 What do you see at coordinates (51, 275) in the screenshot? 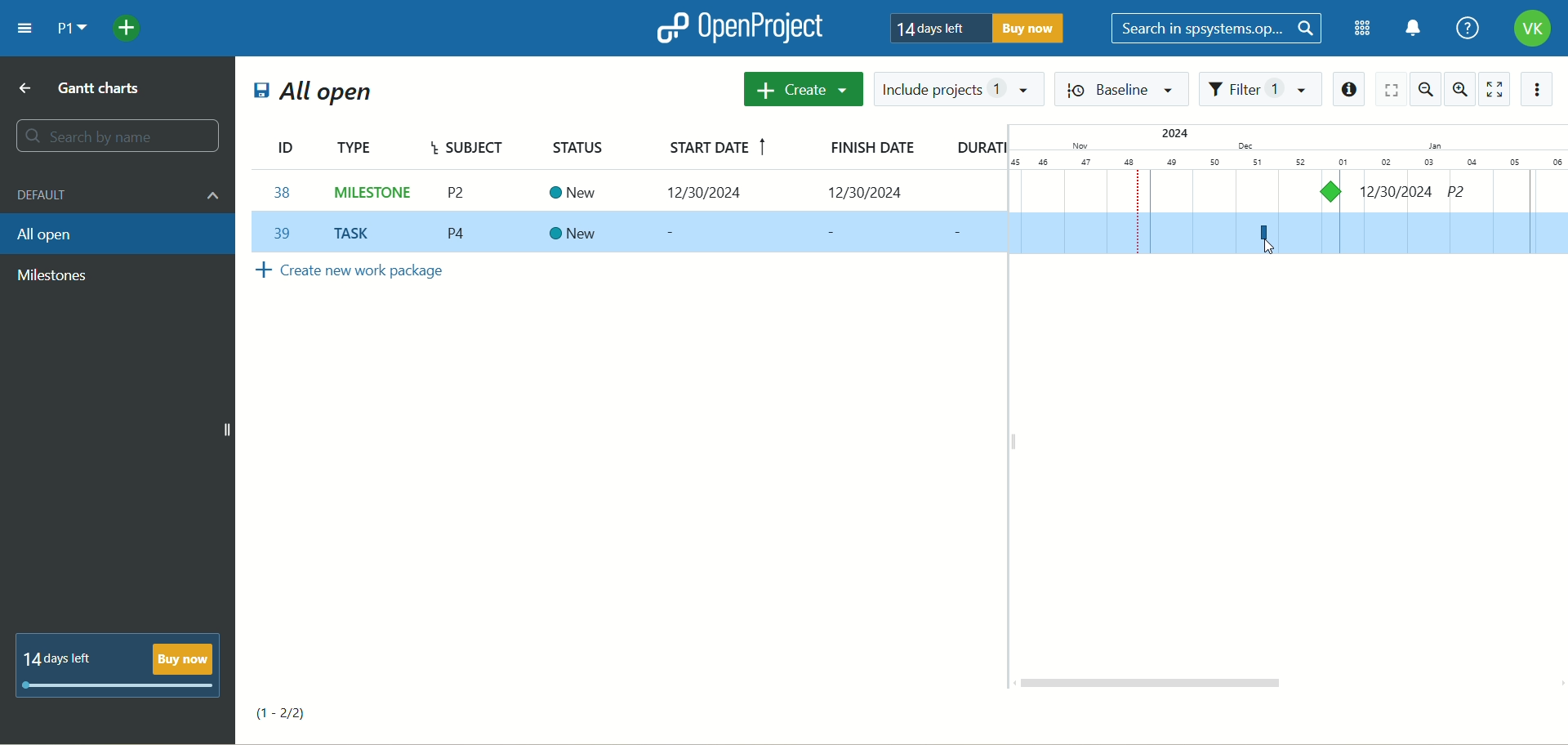
I see `milestone` at bounding box center [51, 275].